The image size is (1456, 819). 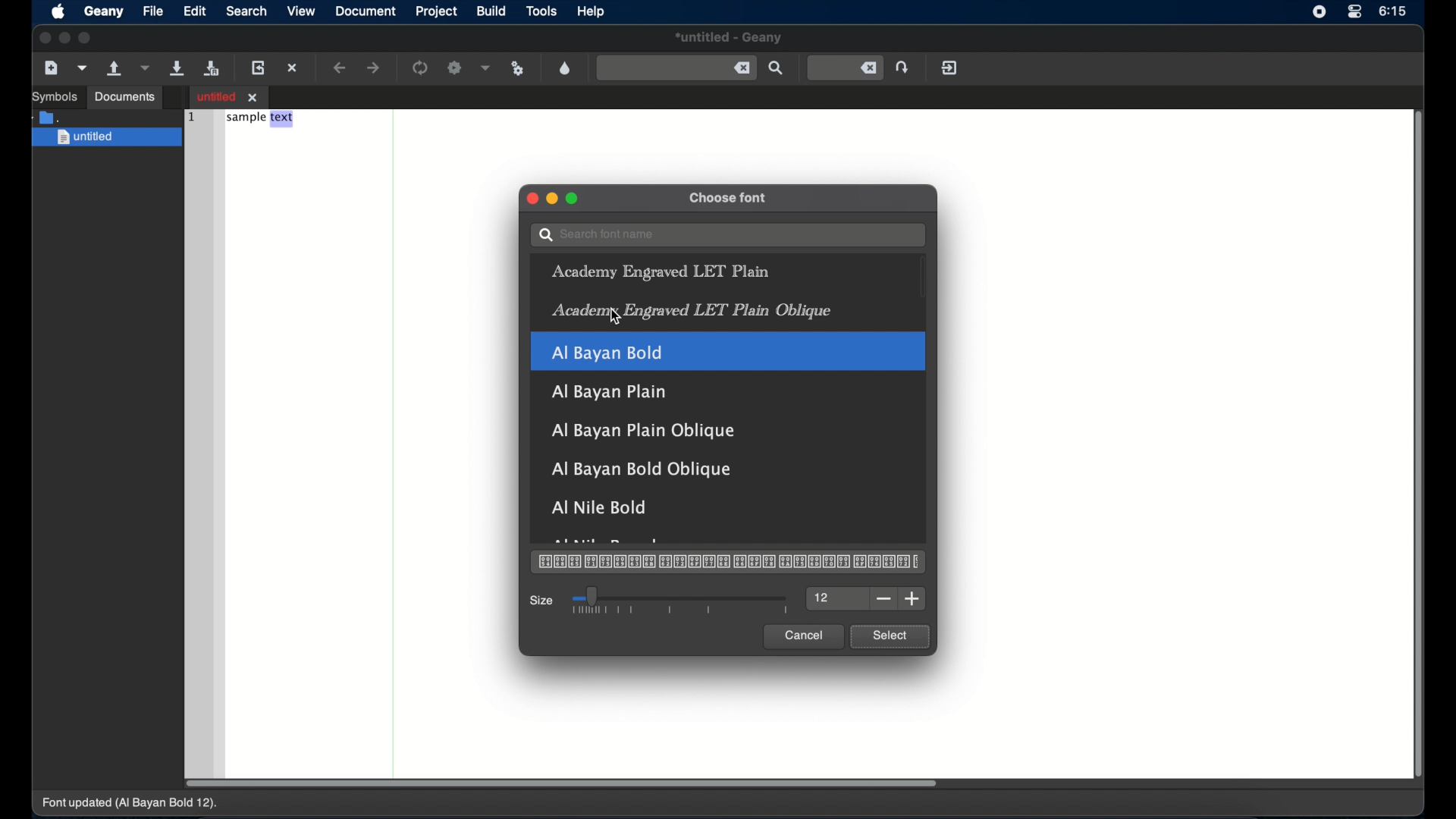 I want to click on untitled, so click(x=729, y=39).